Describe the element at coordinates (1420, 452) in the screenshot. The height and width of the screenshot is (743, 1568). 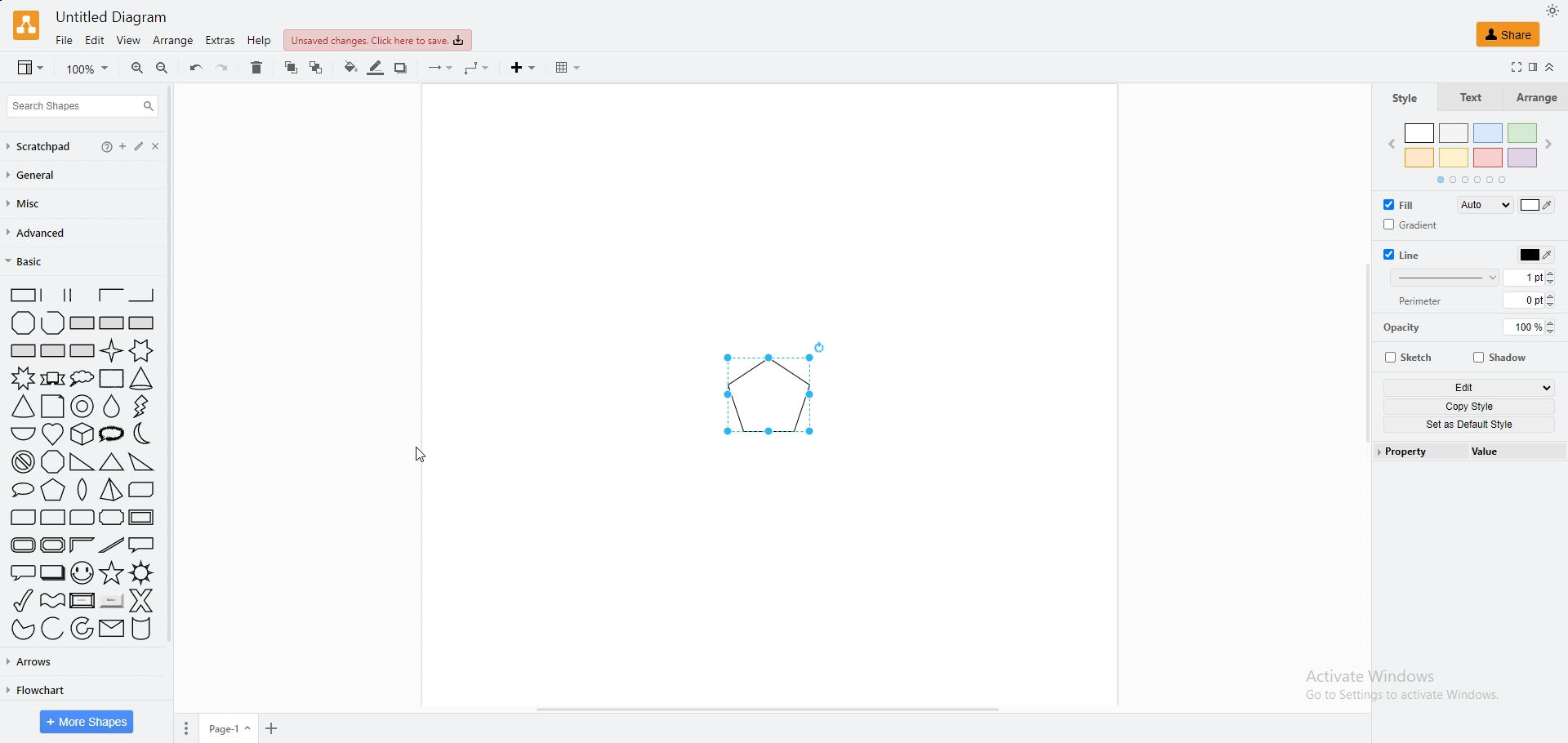
I see `property` at that location.